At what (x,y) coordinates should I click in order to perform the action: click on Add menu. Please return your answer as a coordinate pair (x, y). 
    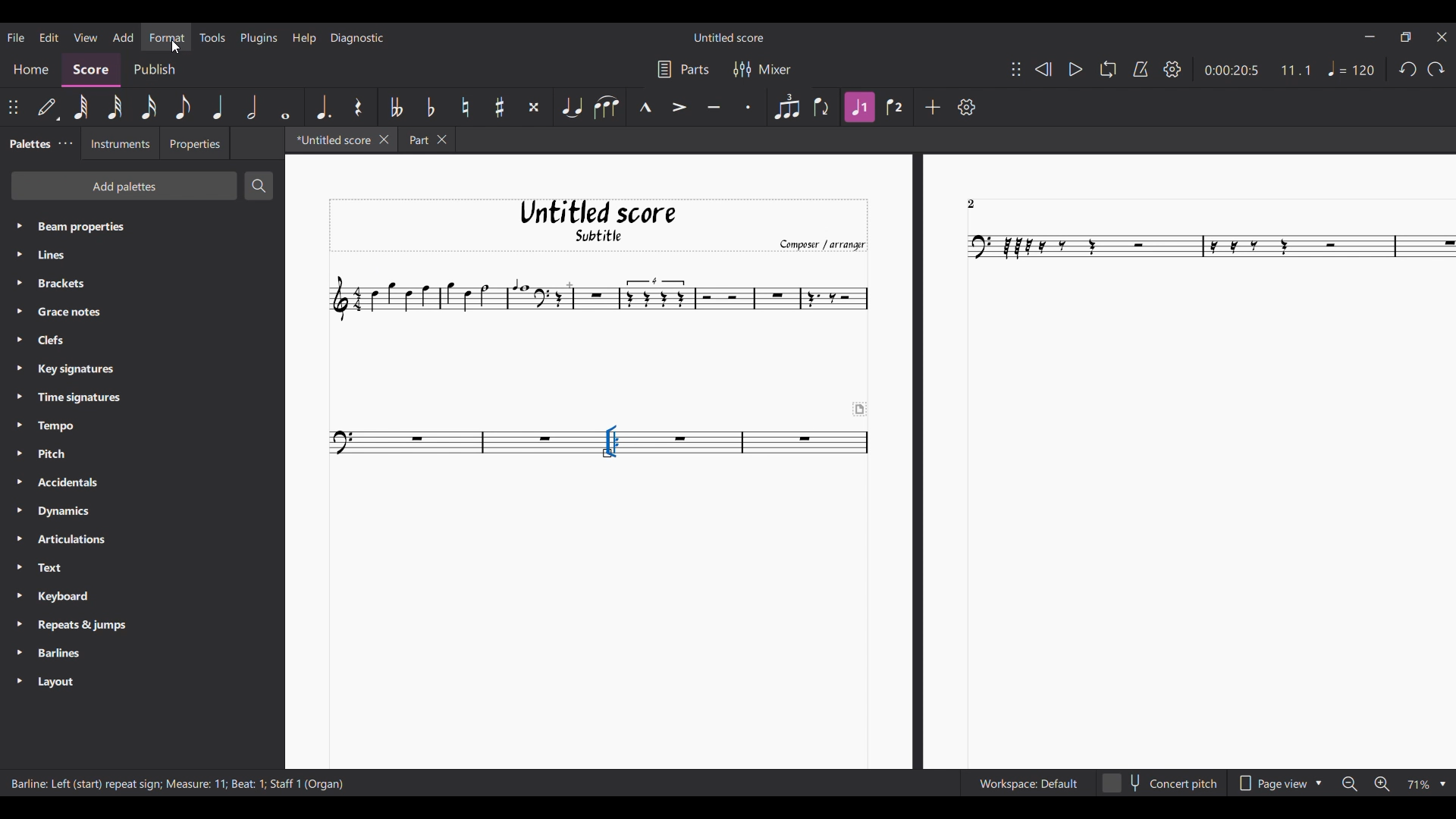
    Looking at the image, I should click on (124, 37).